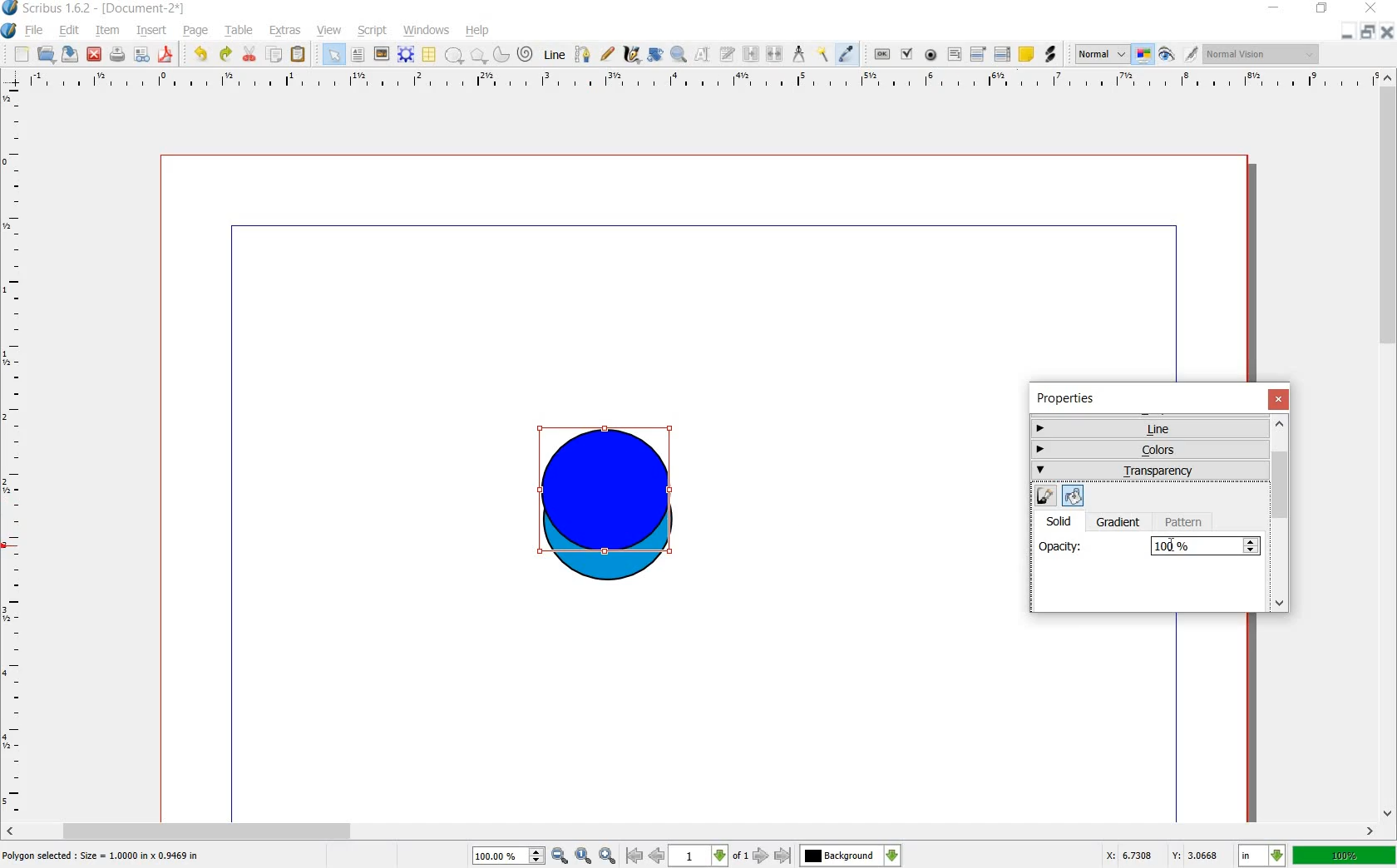 The width and height of the screenshot is (1397, 868). What do you see at coordinates (777, 55) in the screenshot?
I see `unlink text frames` at bounding box center [777, 55].